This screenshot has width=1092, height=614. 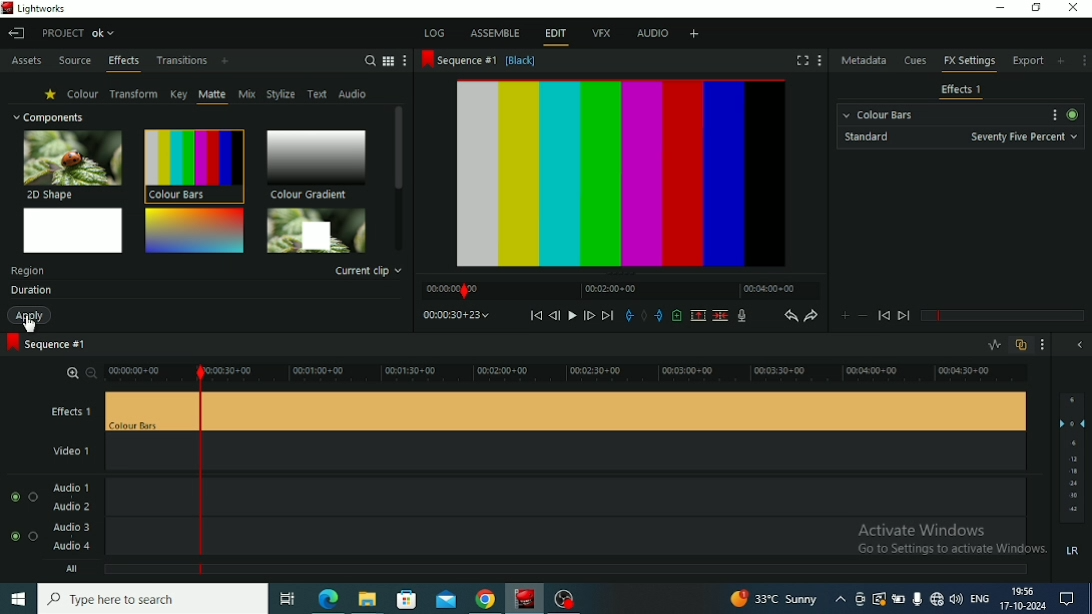 I want to click on Toggle auto track sync, so click(x=1021, y=345).